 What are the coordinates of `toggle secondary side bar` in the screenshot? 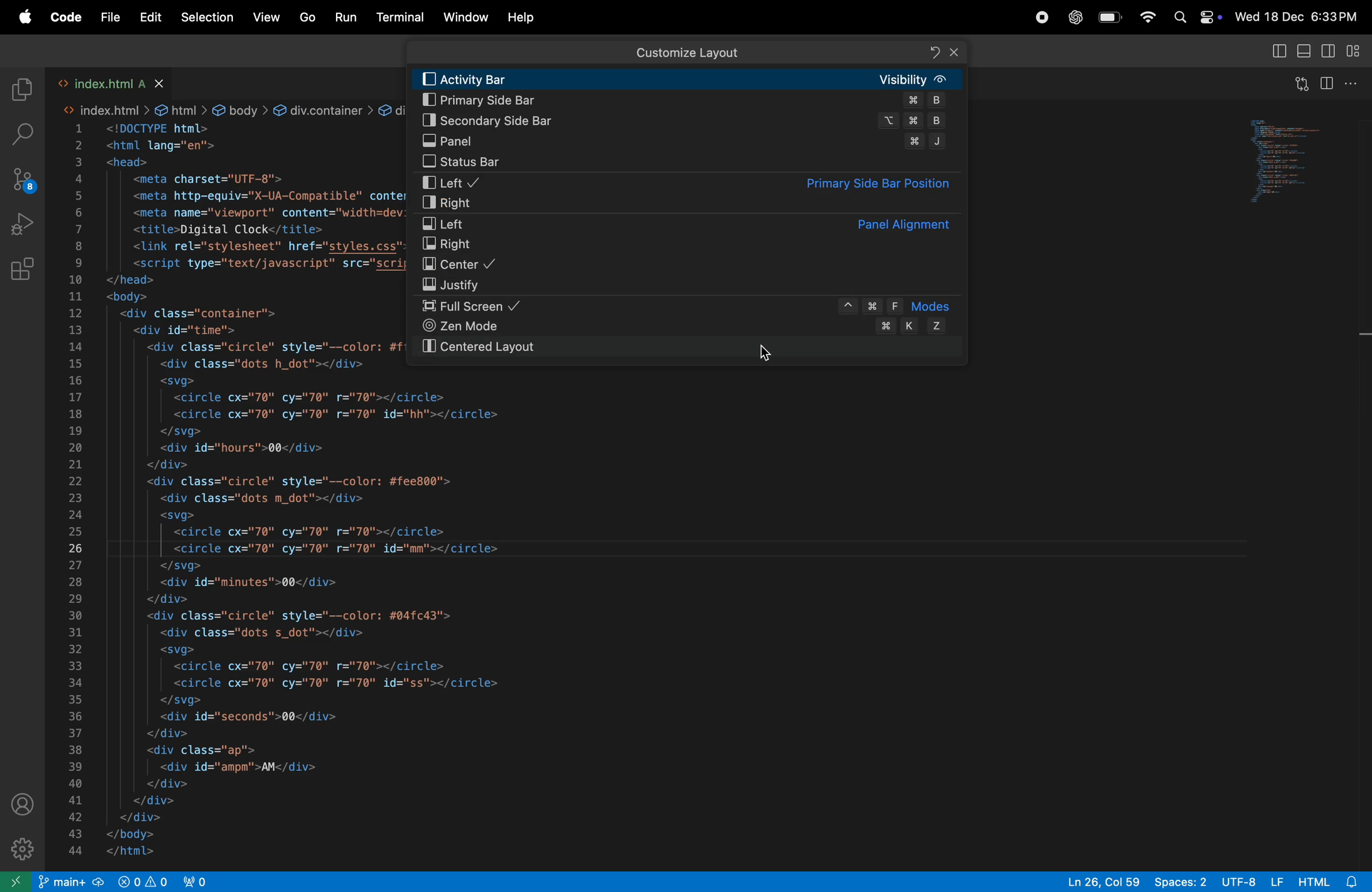 It's located at (1330, 52).